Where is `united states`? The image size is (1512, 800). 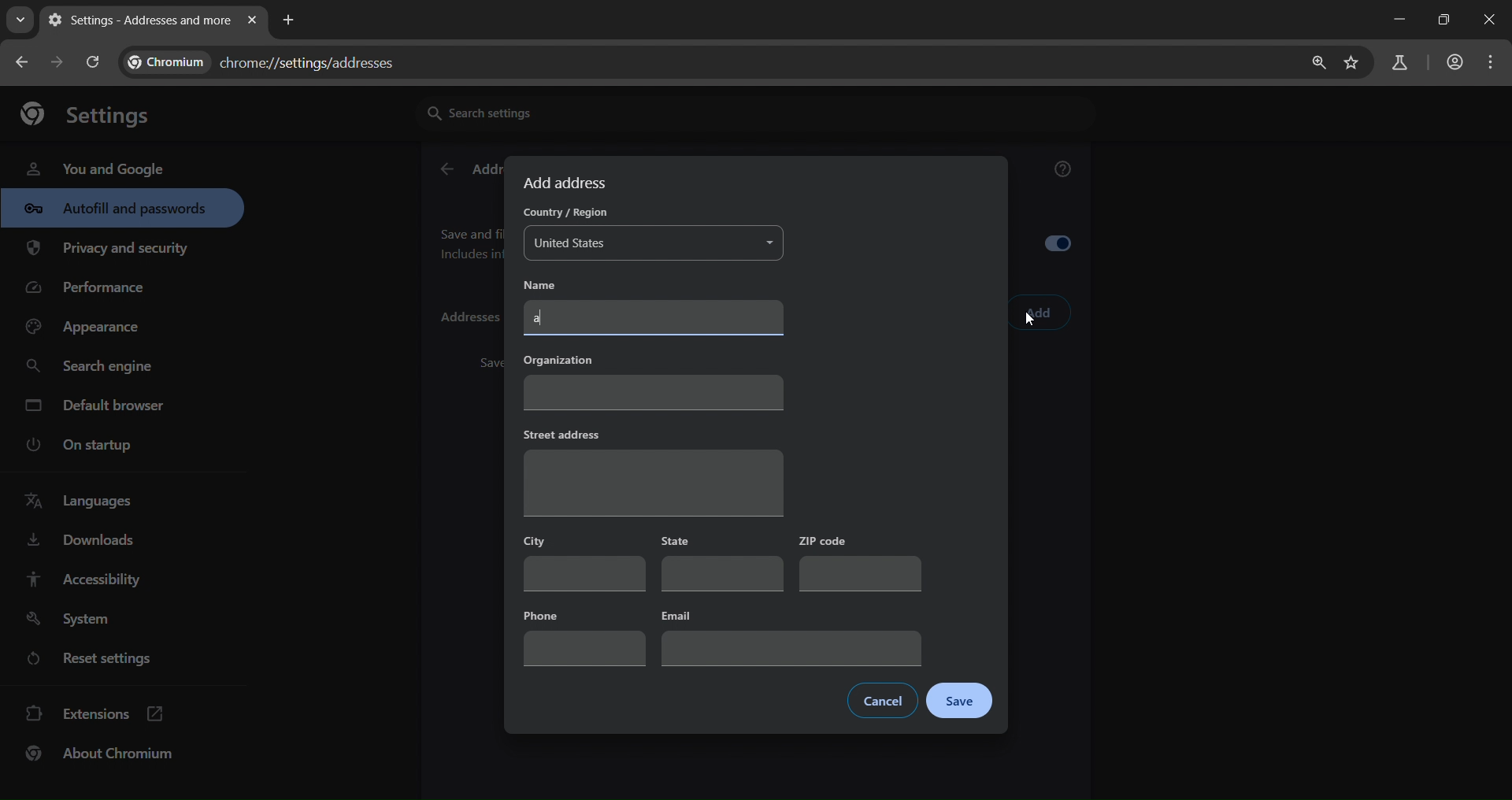
united states is located at coordinates (655, 244).